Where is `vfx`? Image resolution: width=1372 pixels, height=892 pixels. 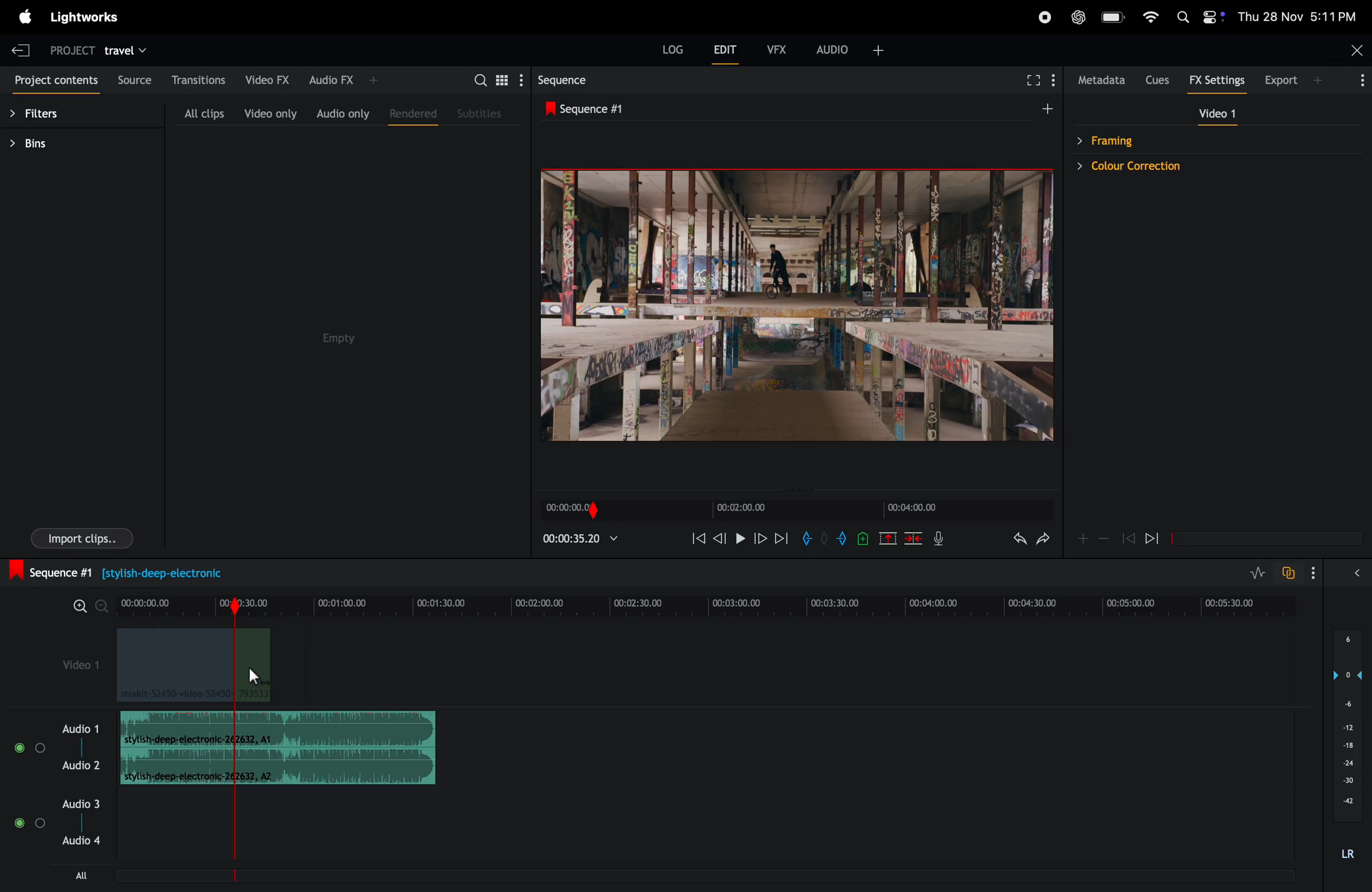
vfx is located at coordinates (777, 48).